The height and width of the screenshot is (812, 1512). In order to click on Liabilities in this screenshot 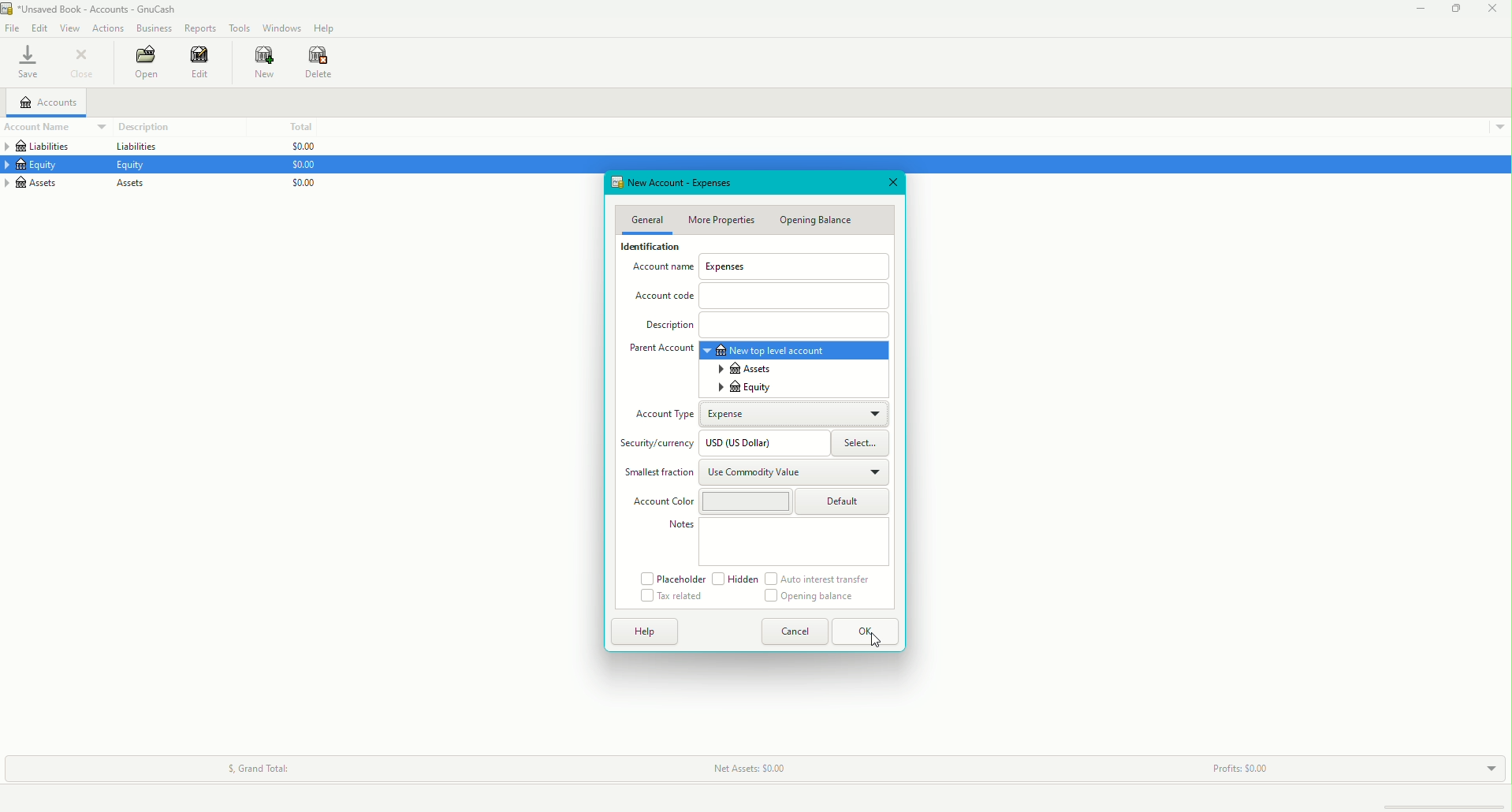, I will do `click(134, 147)`.